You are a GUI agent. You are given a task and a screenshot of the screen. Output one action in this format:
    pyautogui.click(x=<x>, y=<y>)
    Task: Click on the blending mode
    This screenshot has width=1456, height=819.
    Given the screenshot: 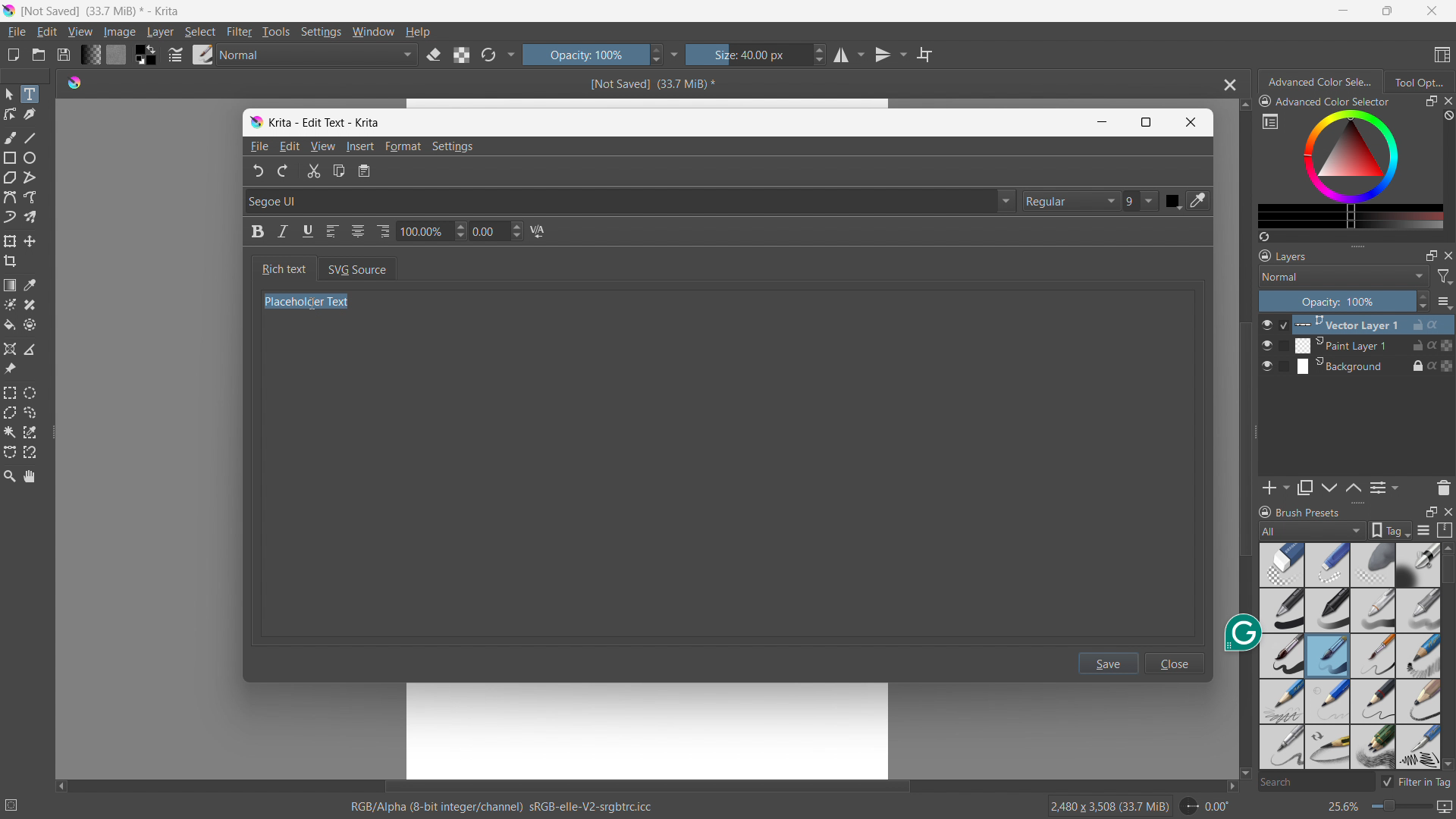 What is the action you would take?
    pyautogui.click(x=318, y=55)
    